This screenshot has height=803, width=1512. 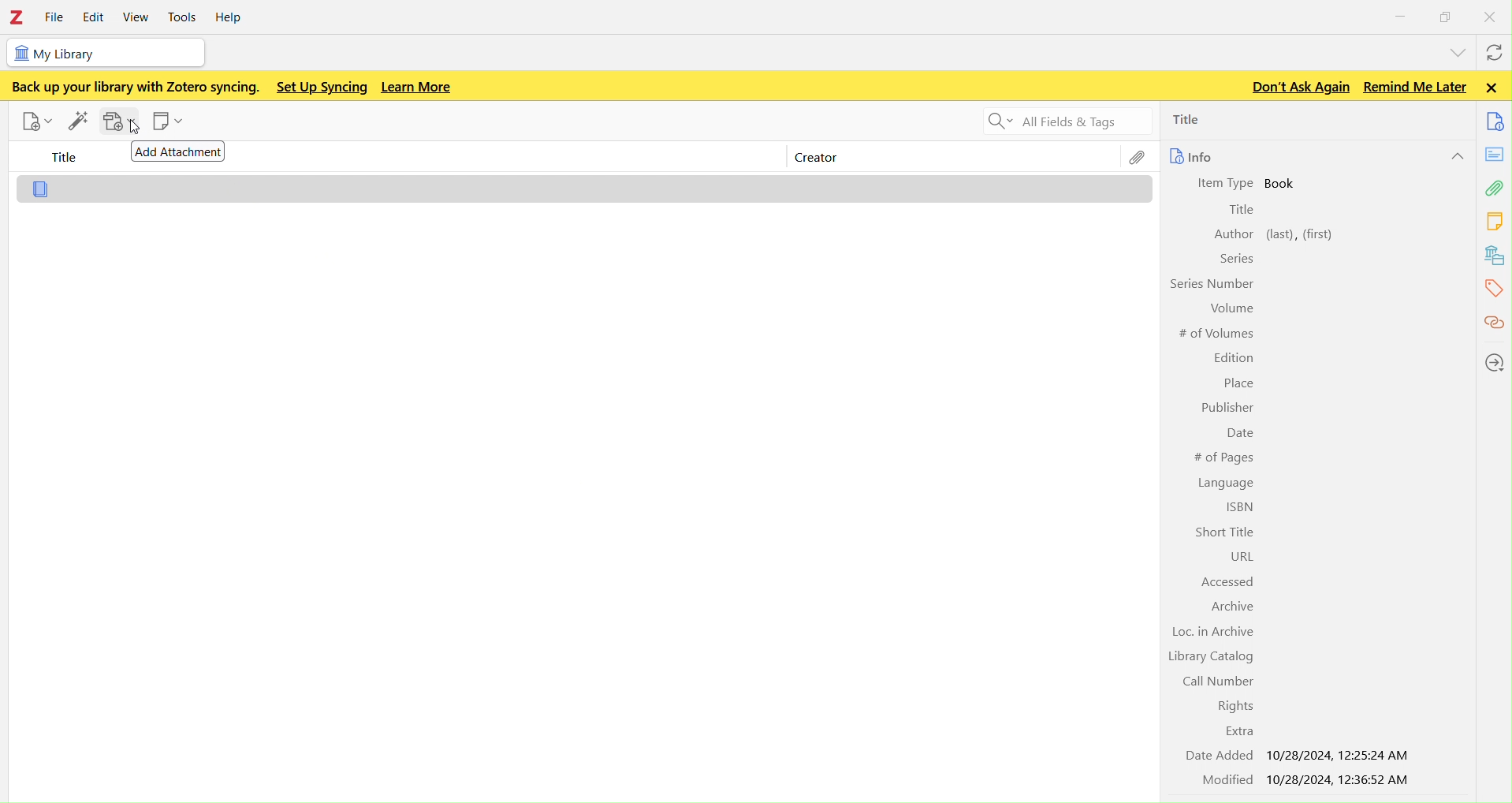 I want to click on title, so click(x=71, y=159).